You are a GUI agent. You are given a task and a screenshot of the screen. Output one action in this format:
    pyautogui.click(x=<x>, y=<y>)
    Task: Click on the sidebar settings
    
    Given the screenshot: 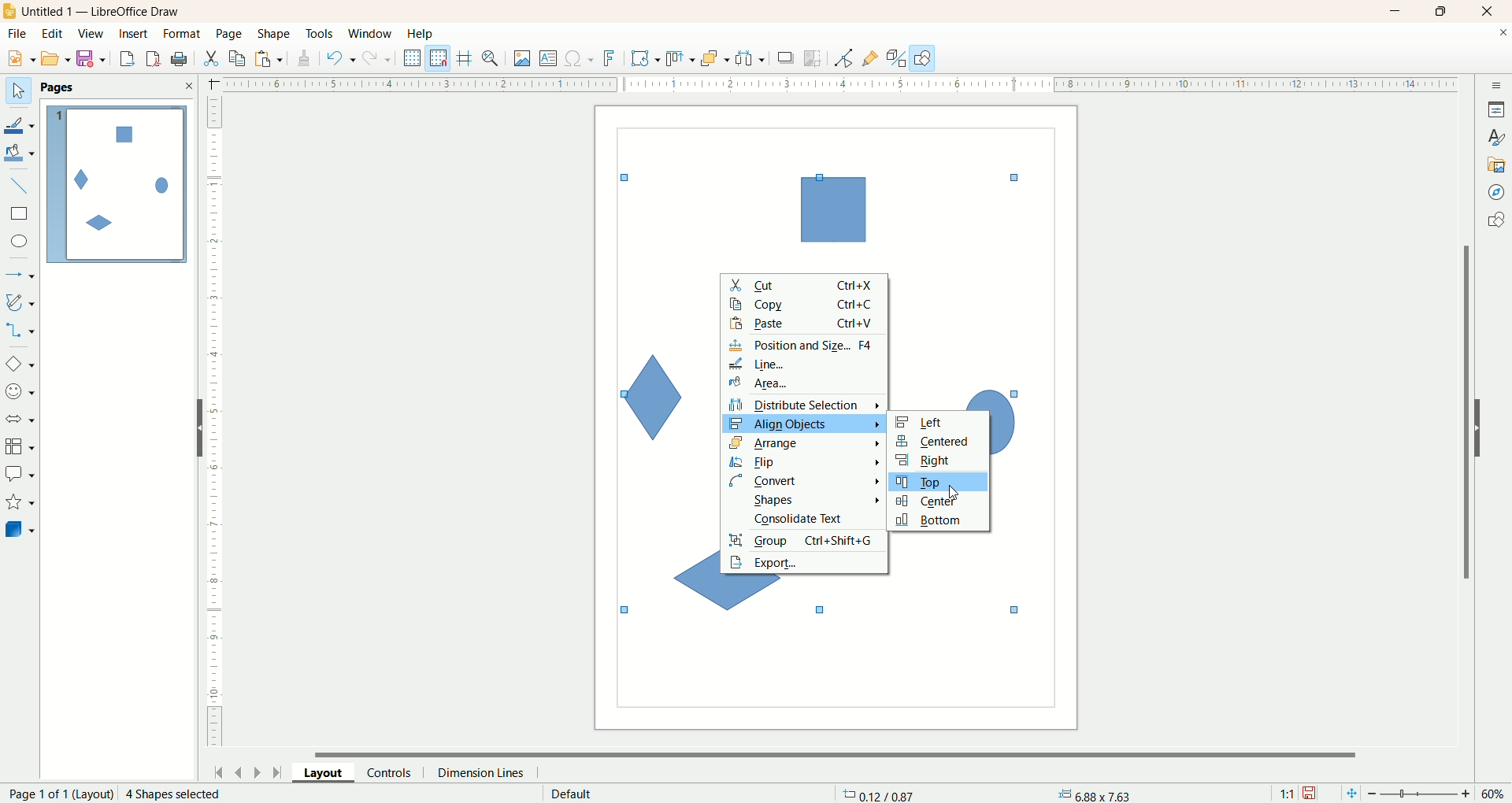 What is the action you would take?
    pyautogui.click(x=1497, y=83)
    